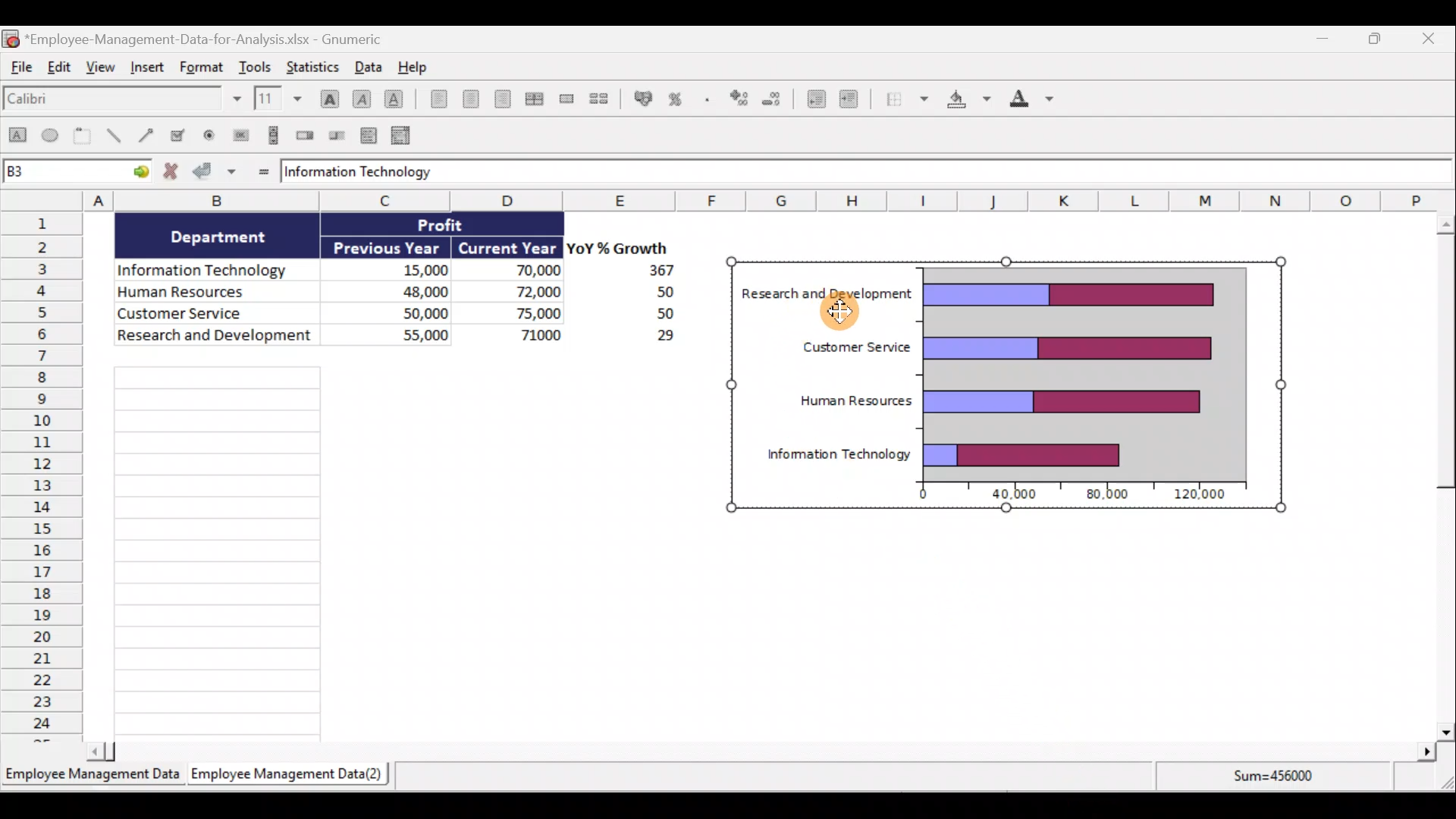 This screenshot has width=1456, height=819. What do you see at coordinates (1282, 780) in the screenshot?
I see `Sum` at bounding box center [1282, 780].